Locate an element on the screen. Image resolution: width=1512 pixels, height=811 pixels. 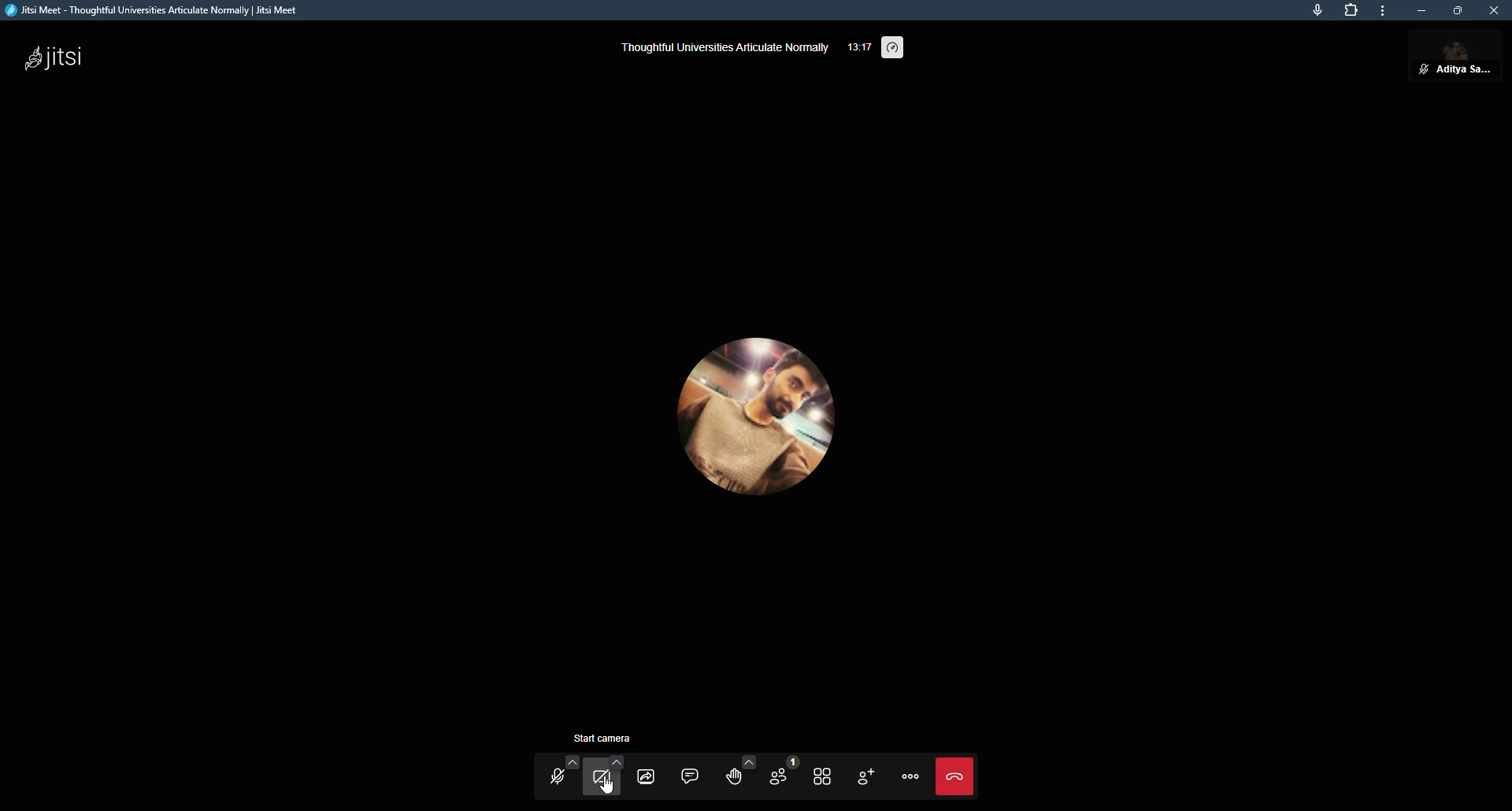
close is located at coordinates (1492, 10).